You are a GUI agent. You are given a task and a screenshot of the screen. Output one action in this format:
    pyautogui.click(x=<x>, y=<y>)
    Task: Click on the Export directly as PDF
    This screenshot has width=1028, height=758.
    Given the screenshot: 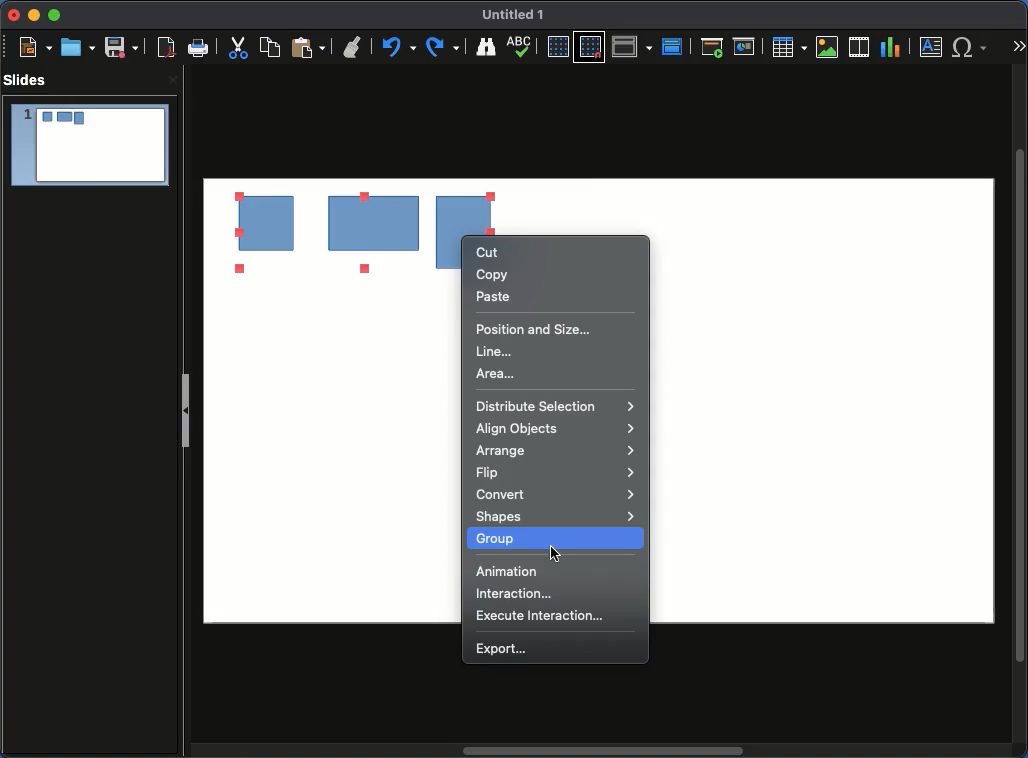 What is the action you would take?
    pyautogui.click(x=163, y=48)
    